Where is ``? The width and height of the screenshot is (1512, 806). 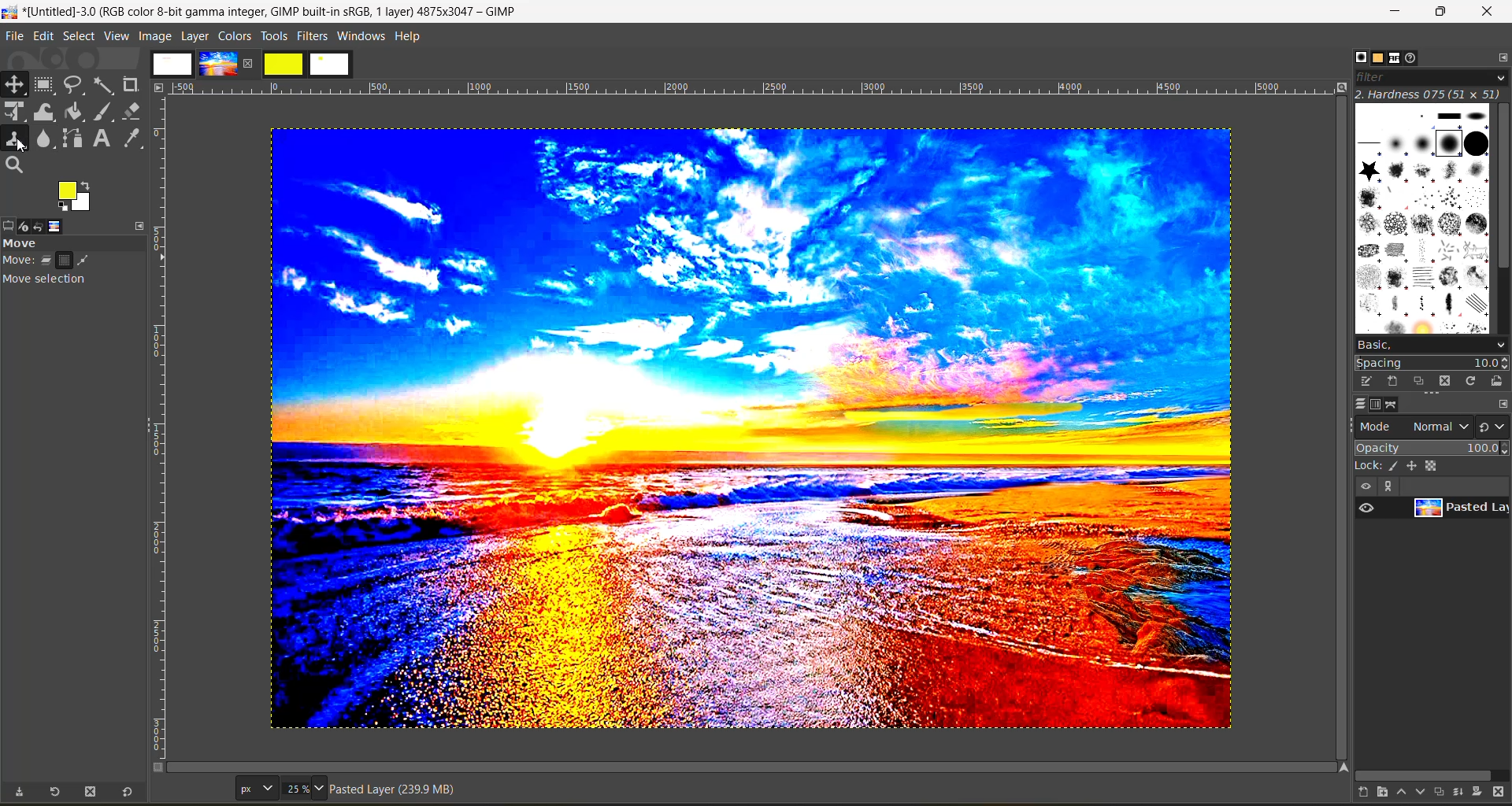  is located at coordinates (1340, 767).